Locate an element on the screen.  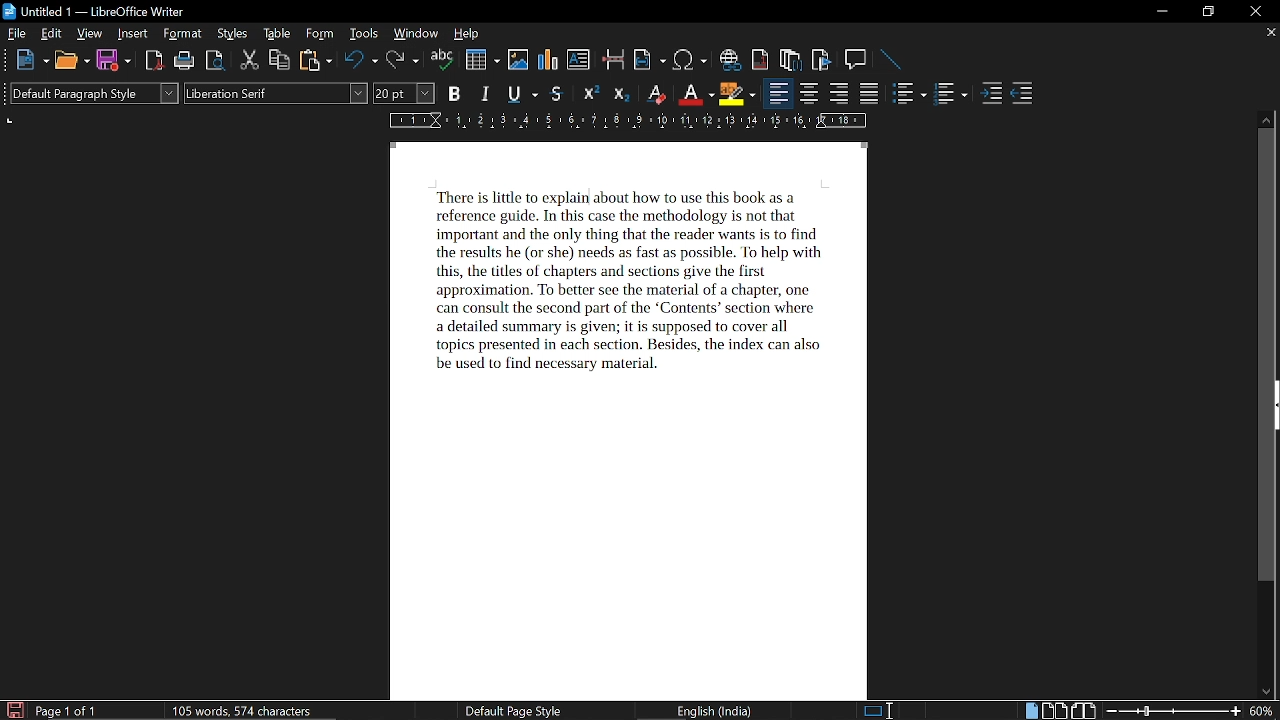
insert footnote is located at coordinates (791, 60).